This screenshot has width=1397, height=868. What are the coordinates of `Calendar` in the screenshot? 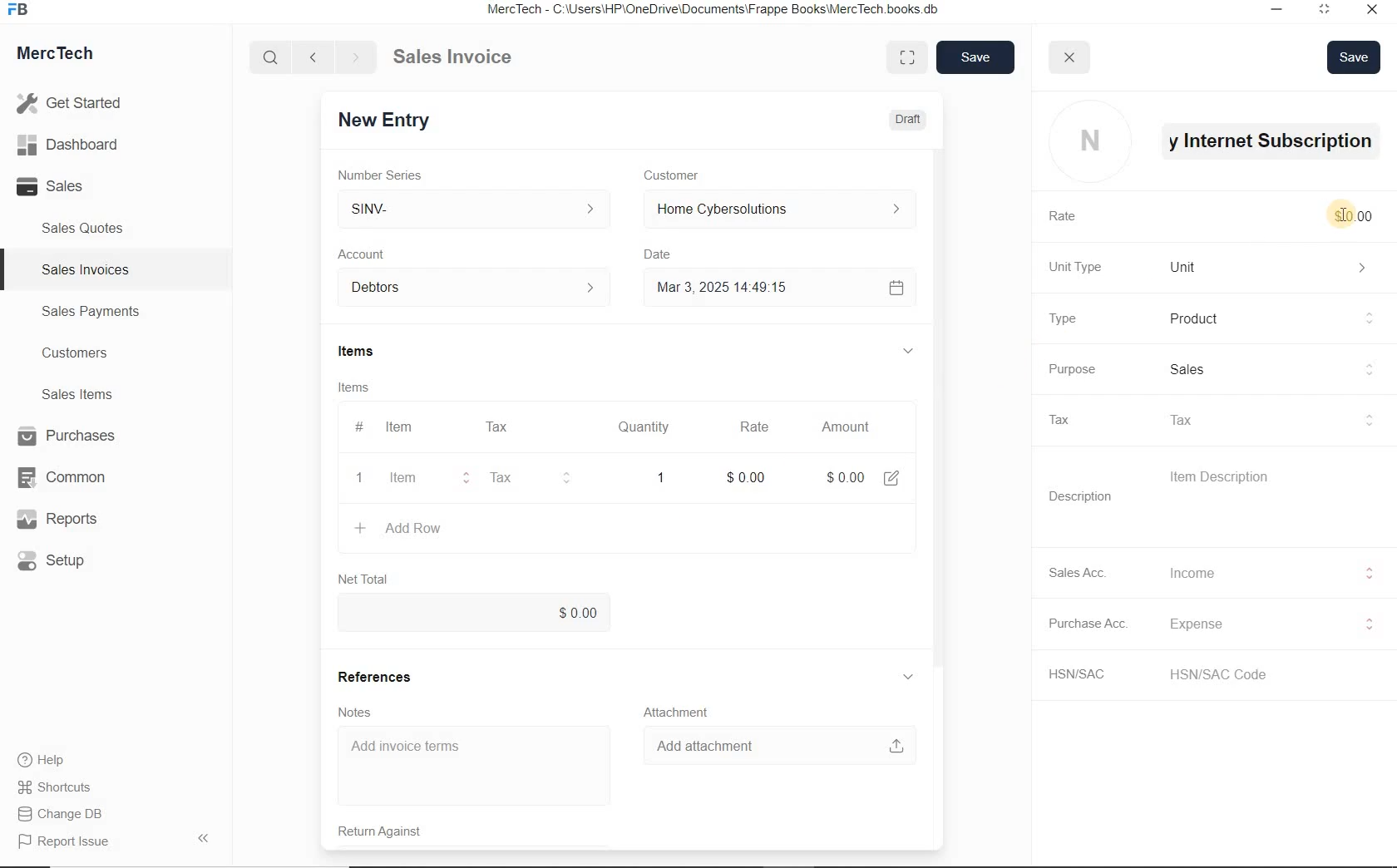 It's located at (892, 287).